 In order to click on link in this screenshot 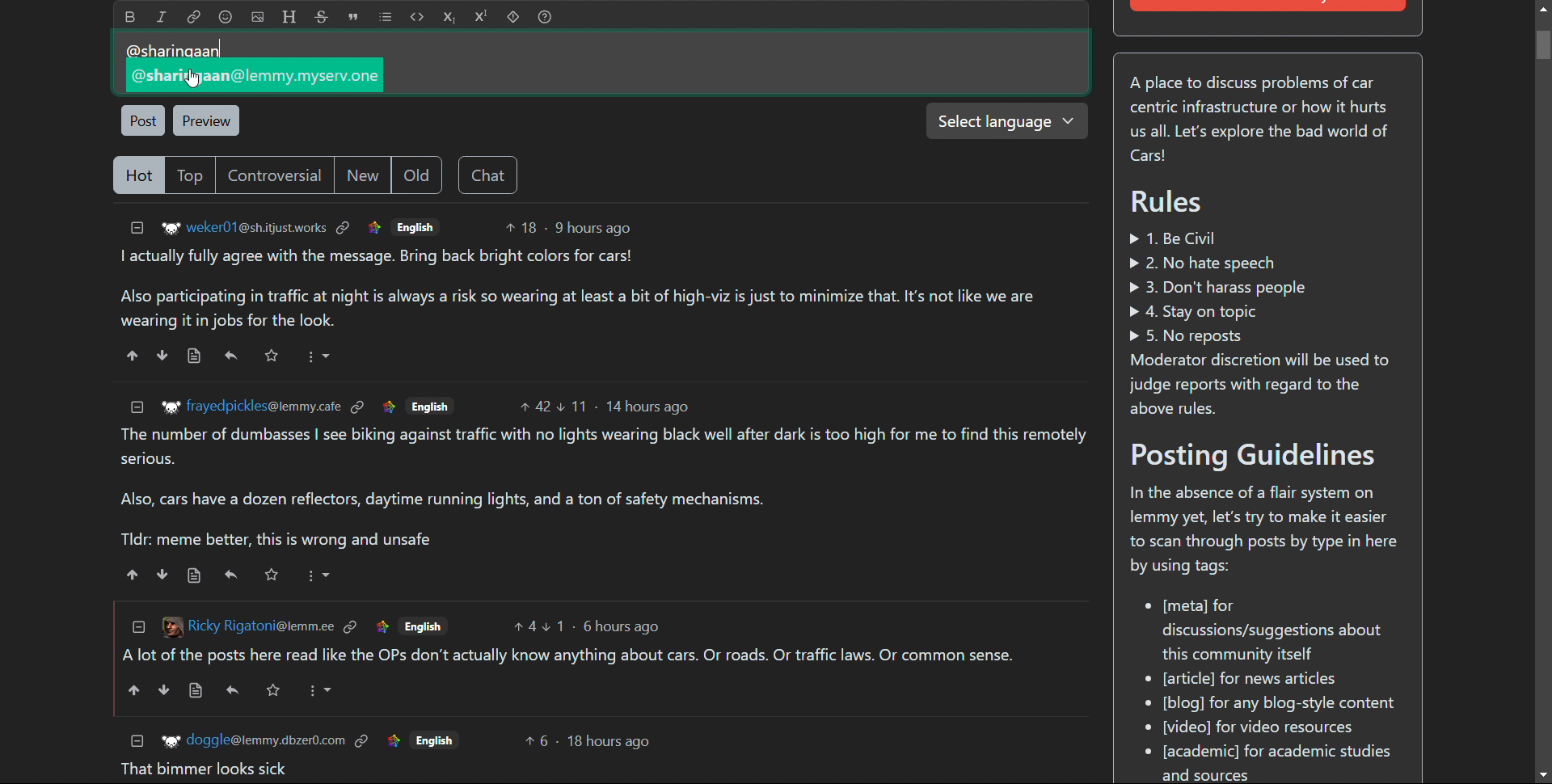, I will do `click(194, 18)`.